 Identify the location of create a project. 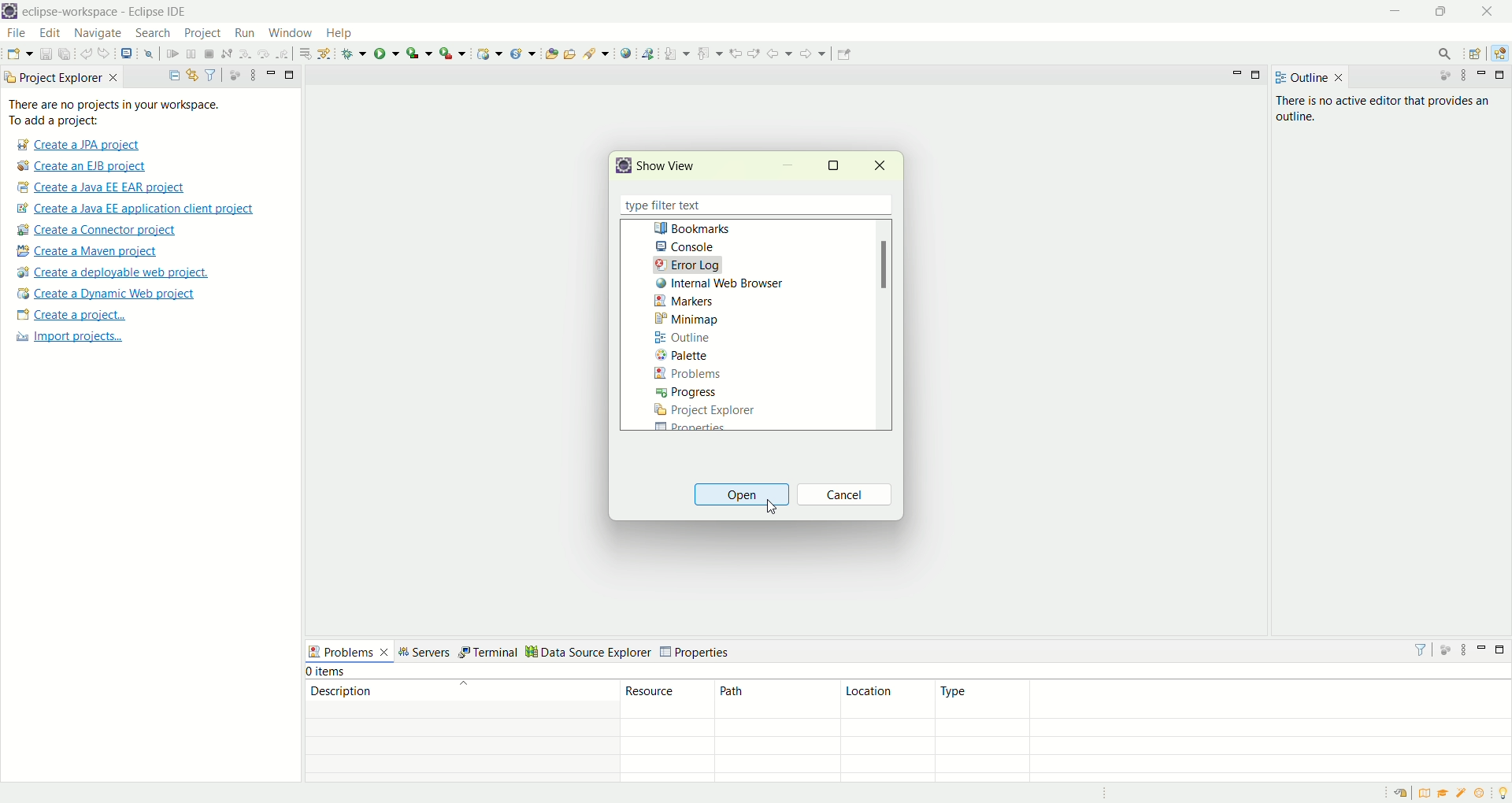
(69, 316).